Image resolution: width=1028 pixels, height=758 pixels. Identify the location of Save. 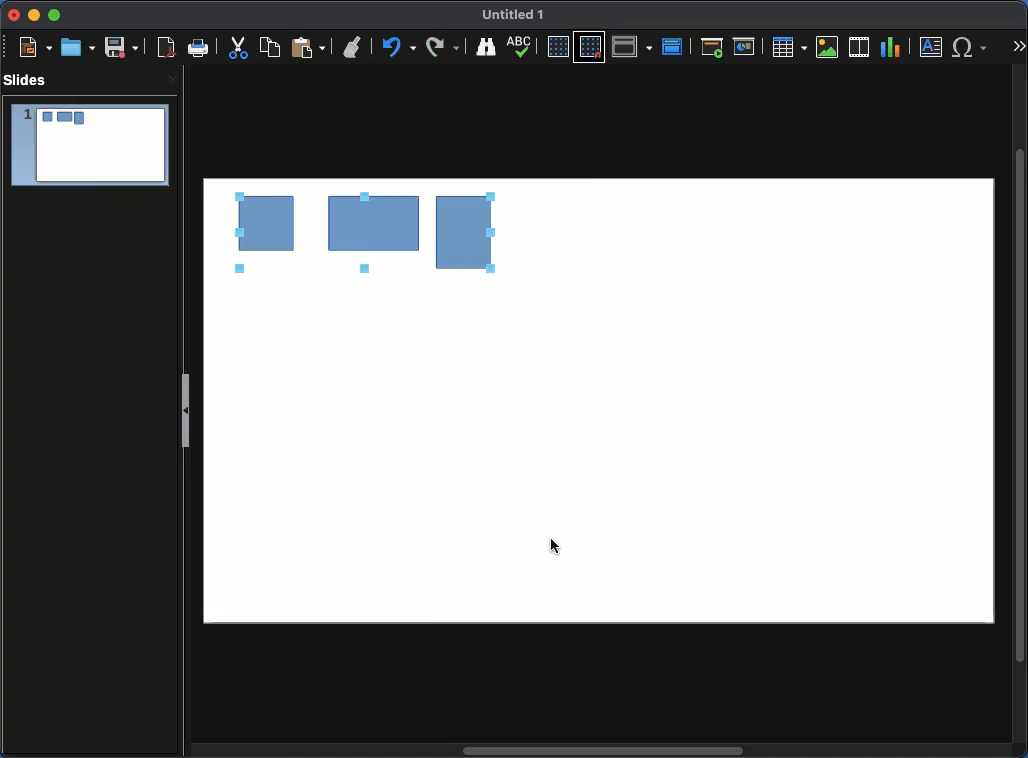
(121, 47).